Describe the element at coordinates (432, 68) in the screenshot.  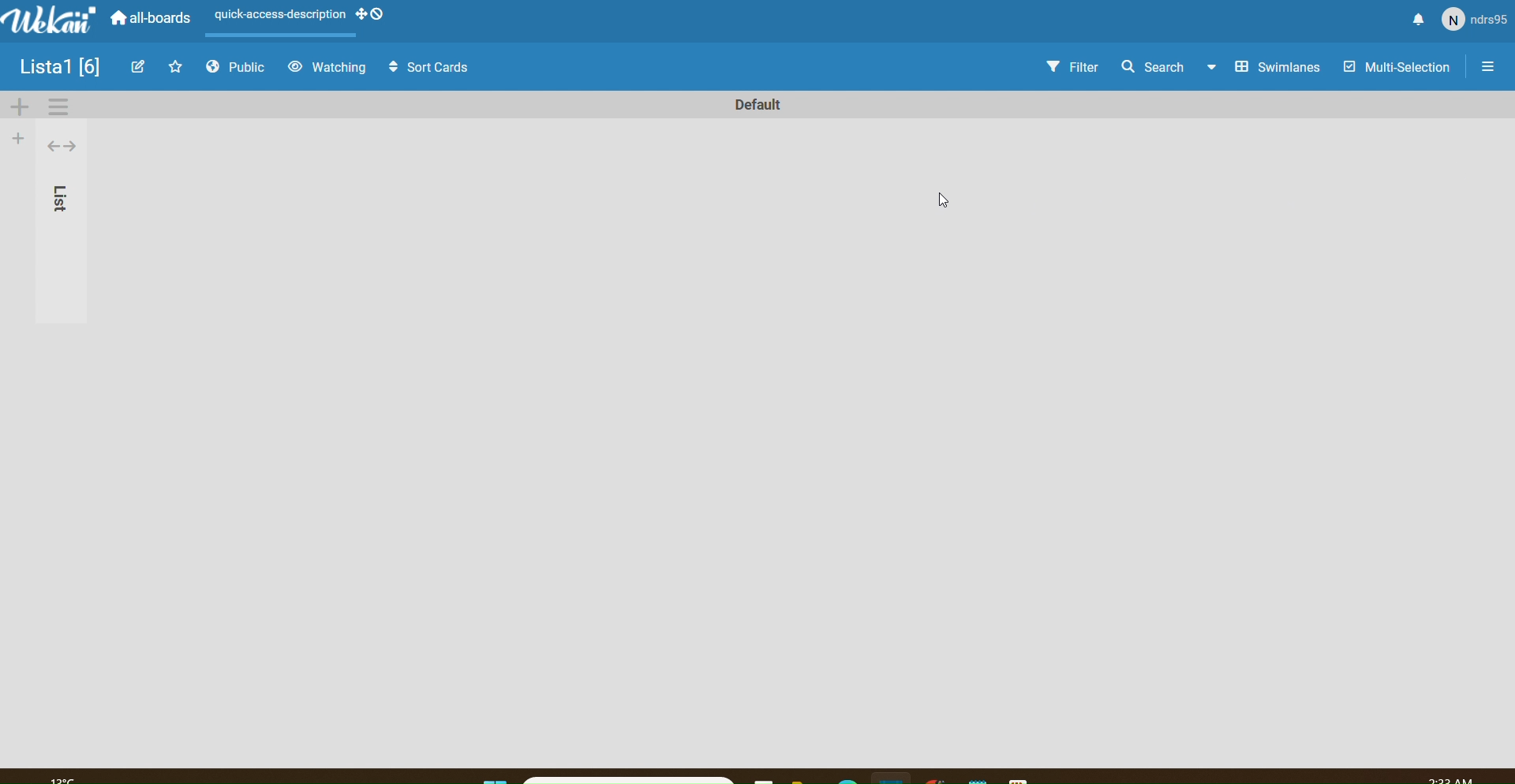
I see `Sort Cards` at that location.